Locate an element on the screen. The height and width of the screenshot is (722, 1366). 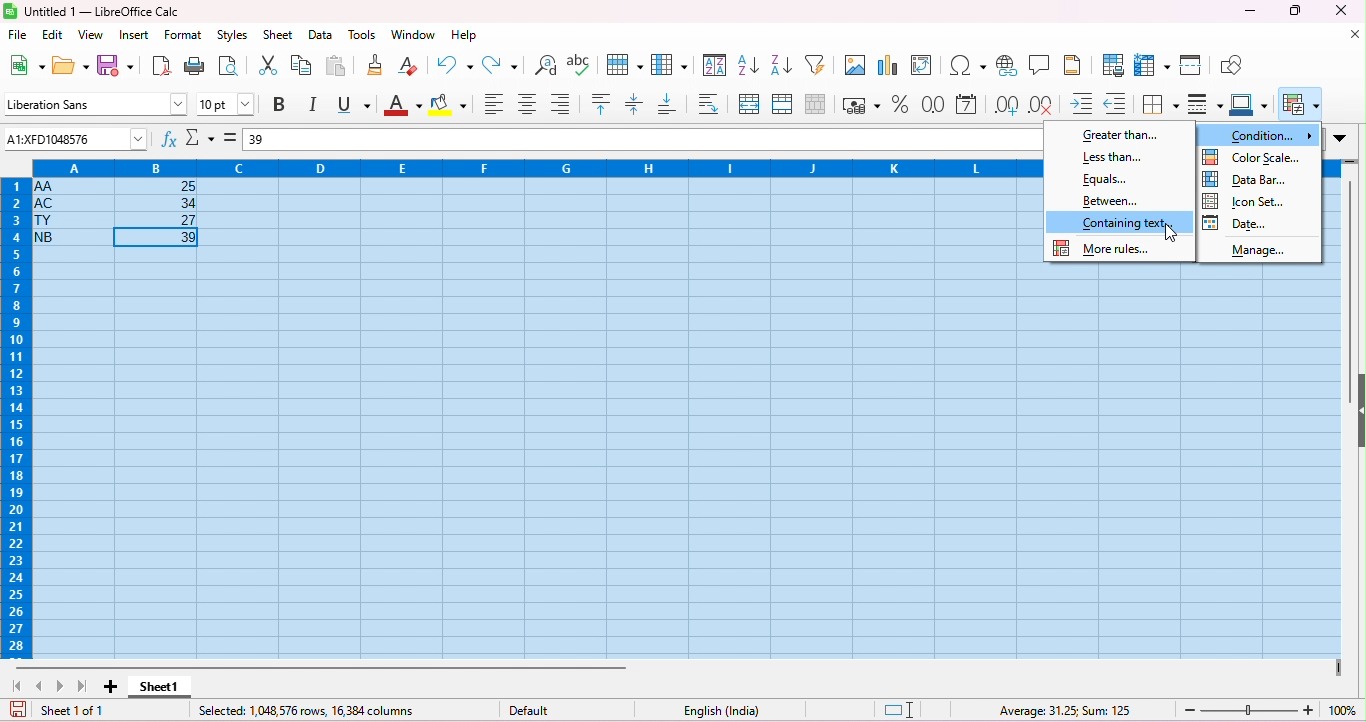
align bottom is located at coordinates (668, 104).